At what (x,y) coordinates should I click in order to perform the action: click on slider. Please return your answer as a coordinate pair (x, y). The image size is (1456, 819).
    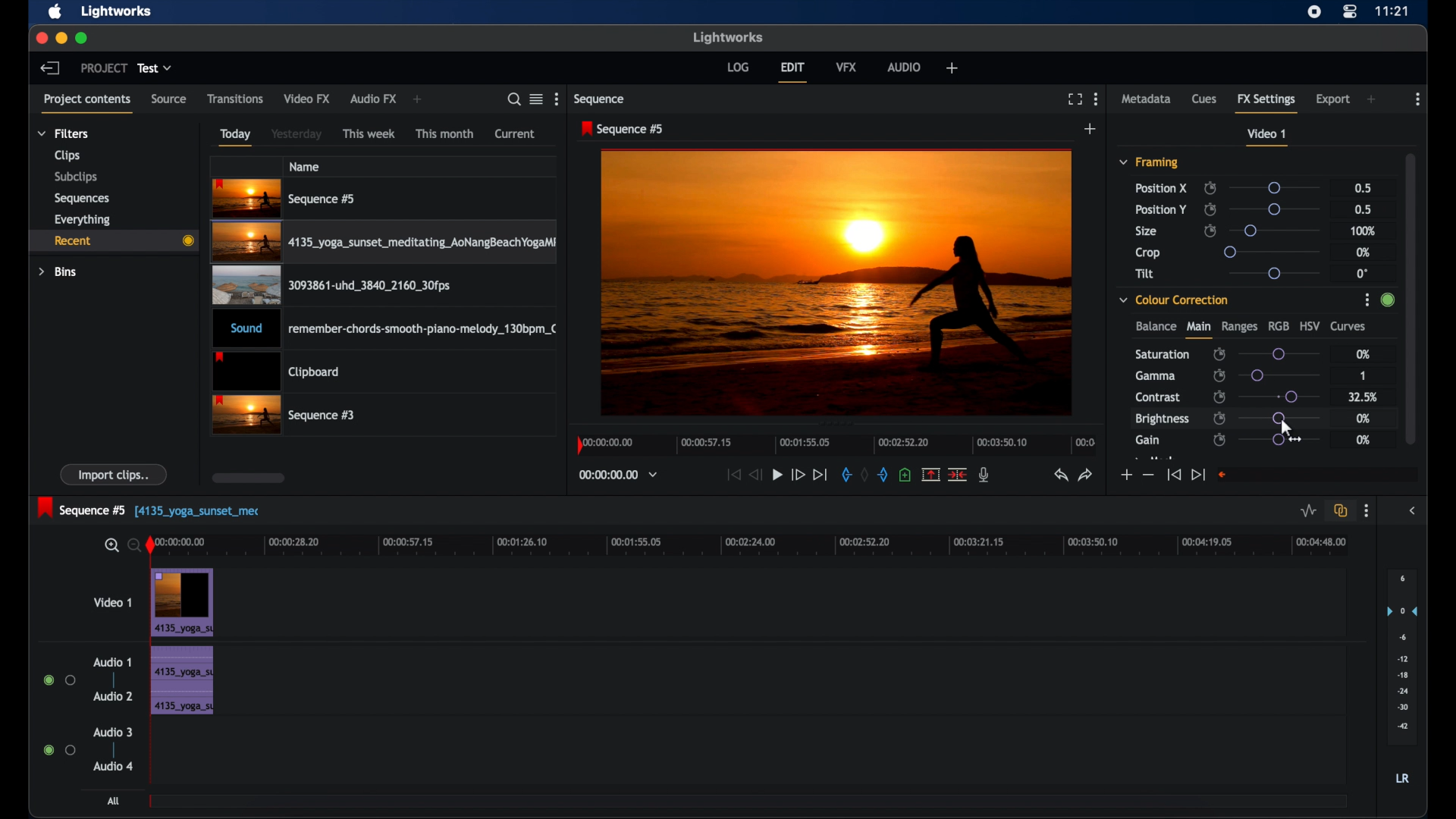
    Looking at the image, I should click on (1279, 397).